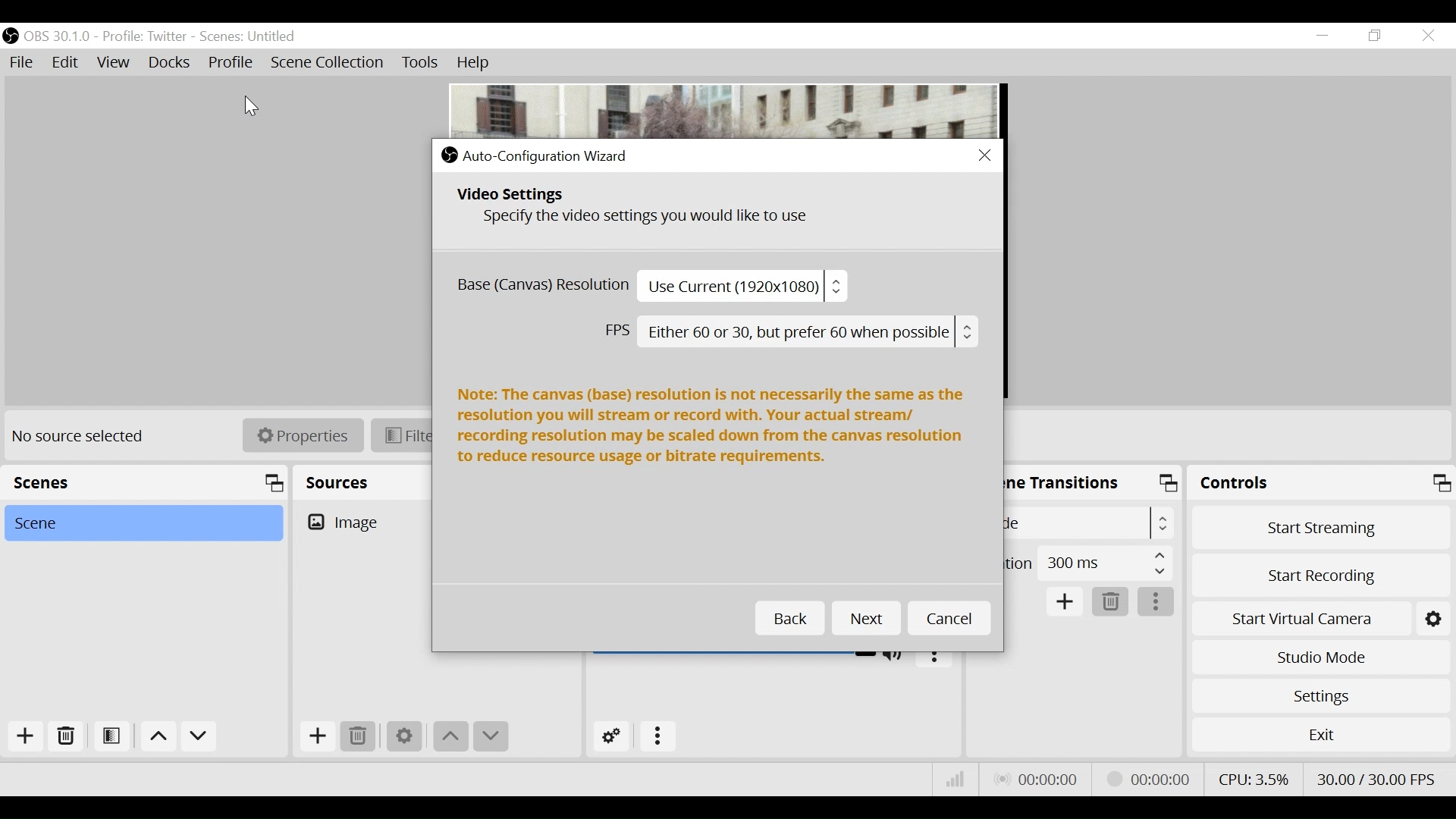  What do you see at coordinates (231, 61) in the screenshot?
I see `Profile` at bounding box center [231, 61].